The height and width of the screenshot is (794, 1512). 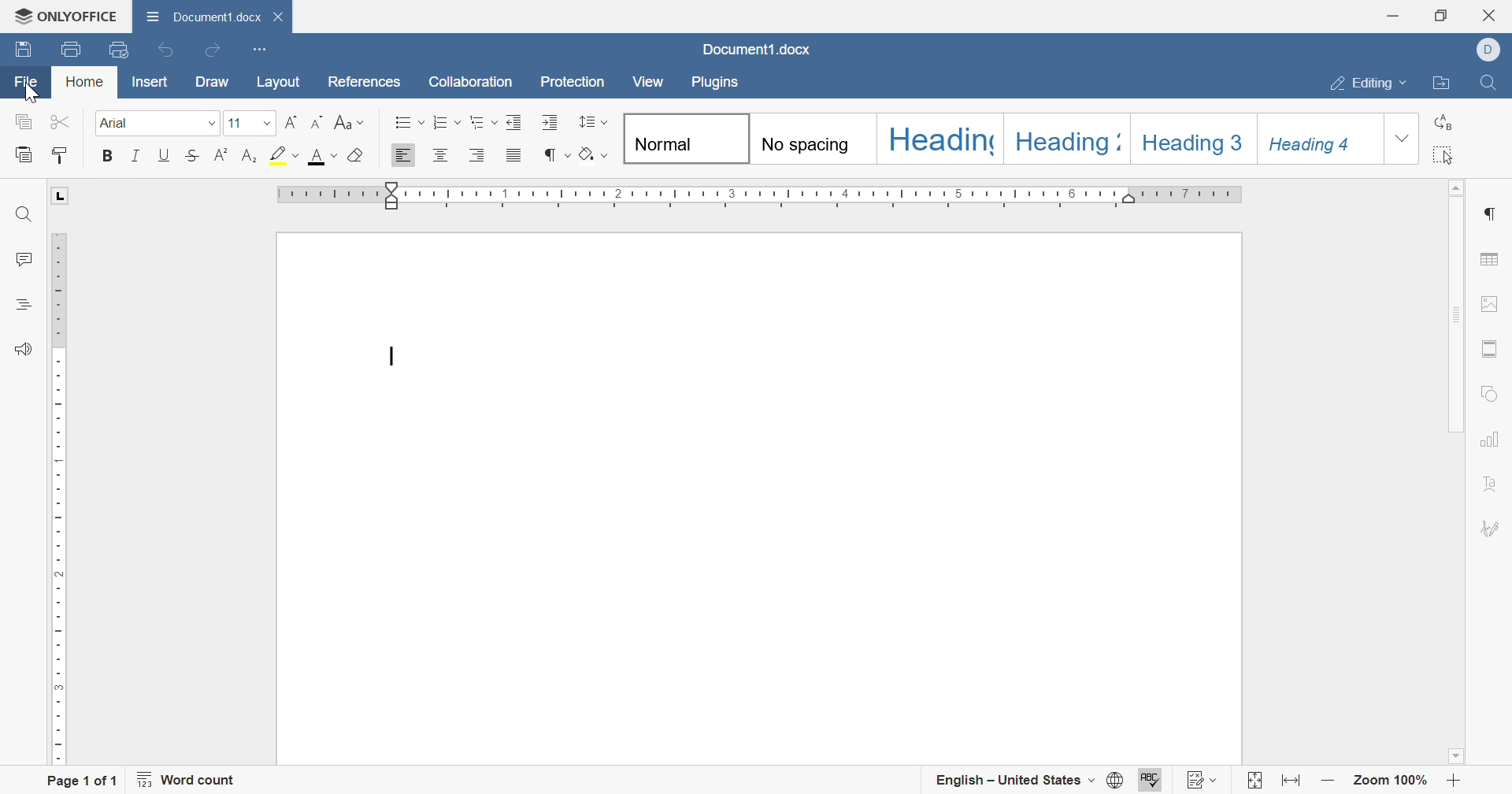 I want to click on set document language, so click(x=1117, y=781).